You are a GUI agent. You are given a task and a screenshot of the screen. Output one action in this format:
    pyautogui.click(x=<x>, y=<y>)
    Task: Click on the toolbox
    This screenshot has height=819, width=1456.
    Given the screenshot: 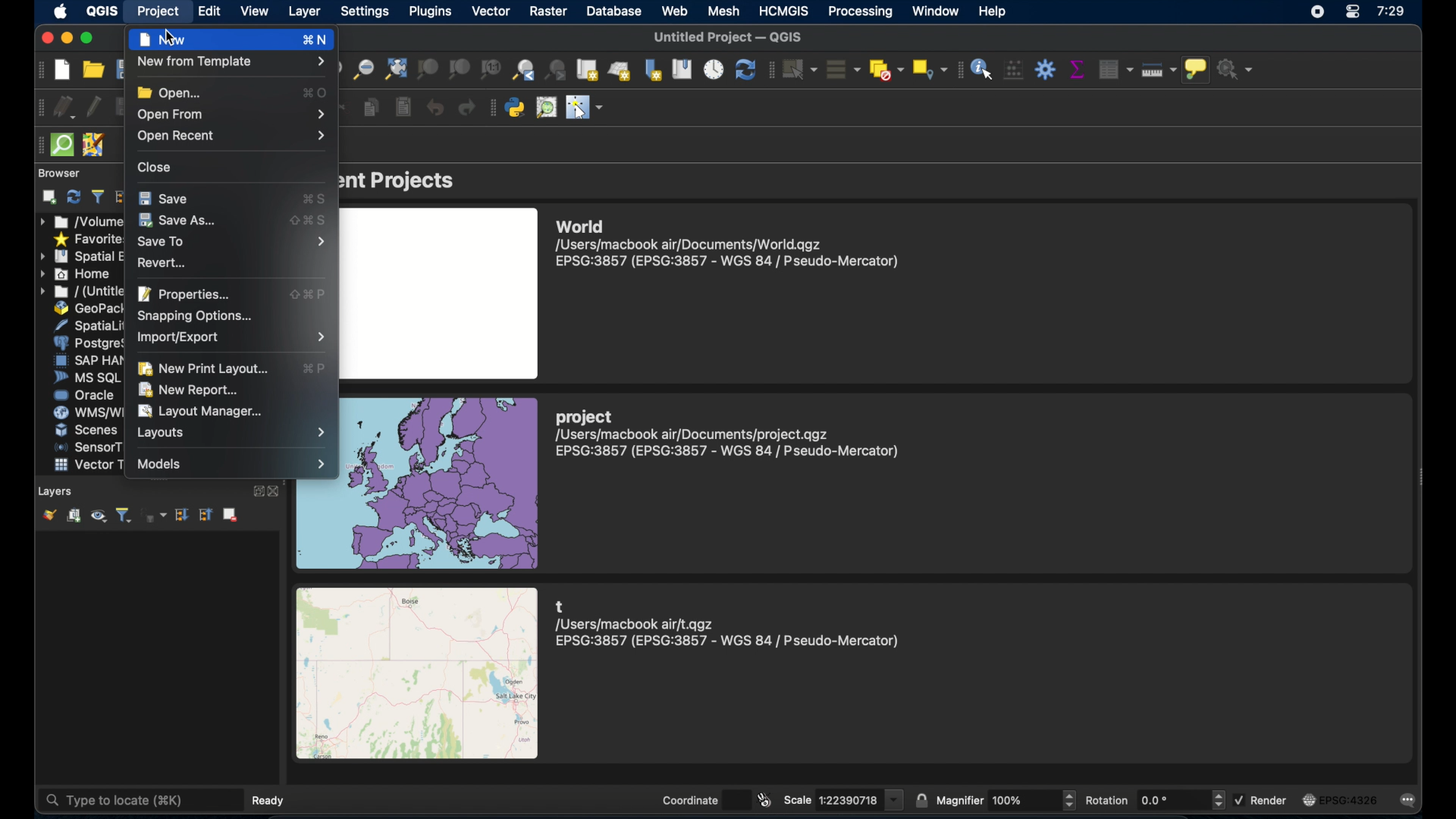 What is the action you would take?
    pyautogui.click(x=1046, y=69)
    